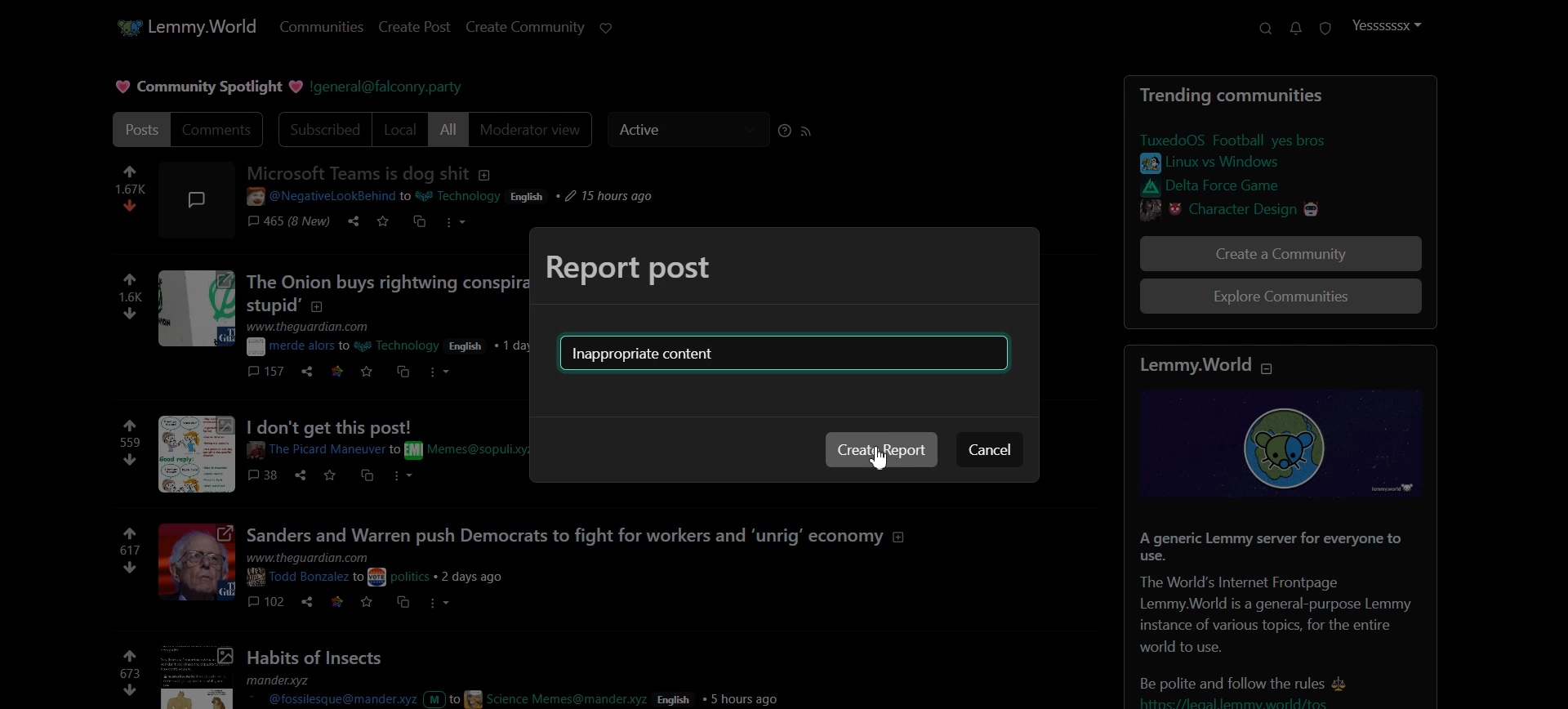  I want to click on like, so click(131, 280).